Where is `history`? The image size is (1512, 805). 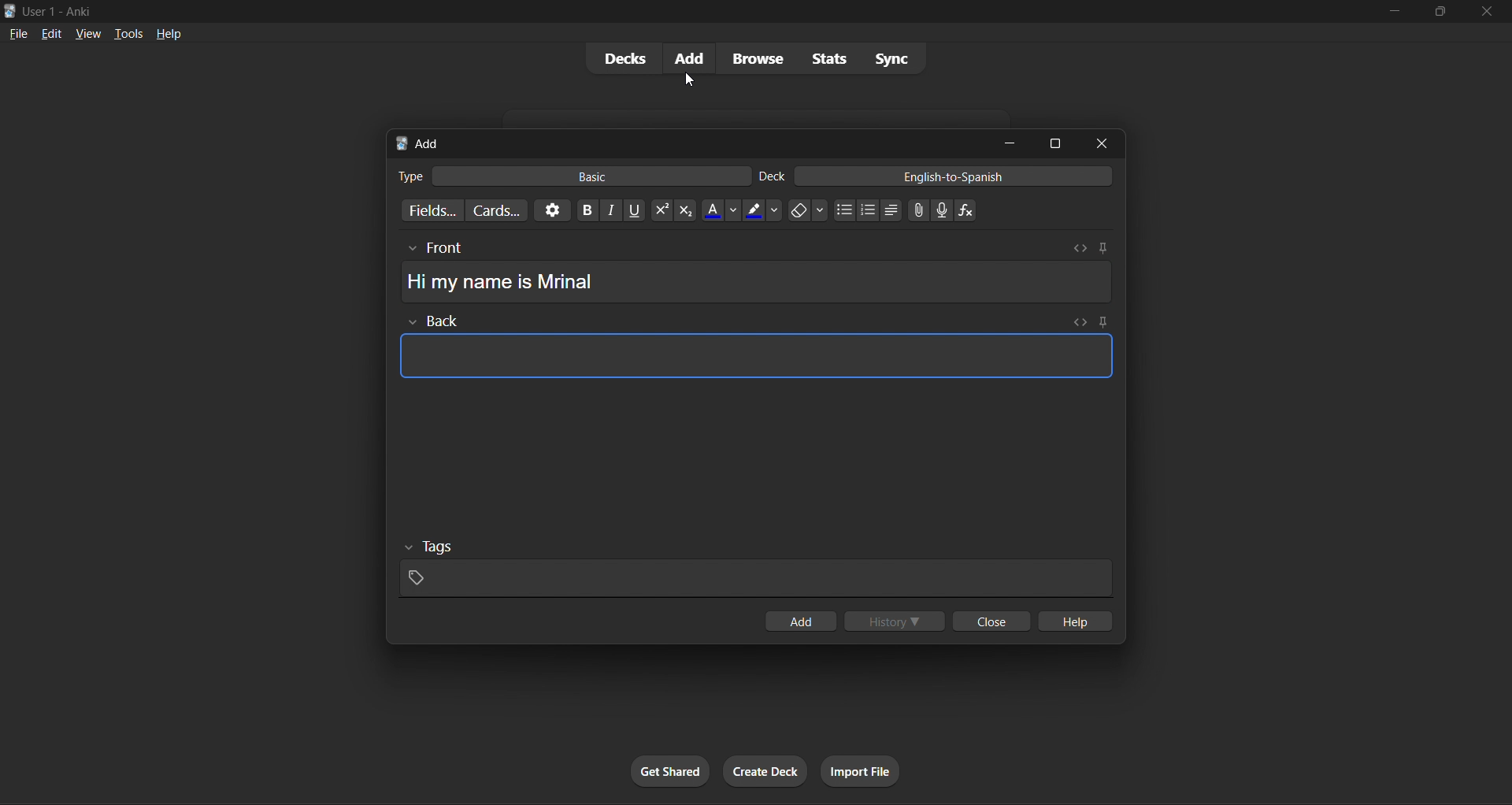 history is located at coordinates (897, 618).